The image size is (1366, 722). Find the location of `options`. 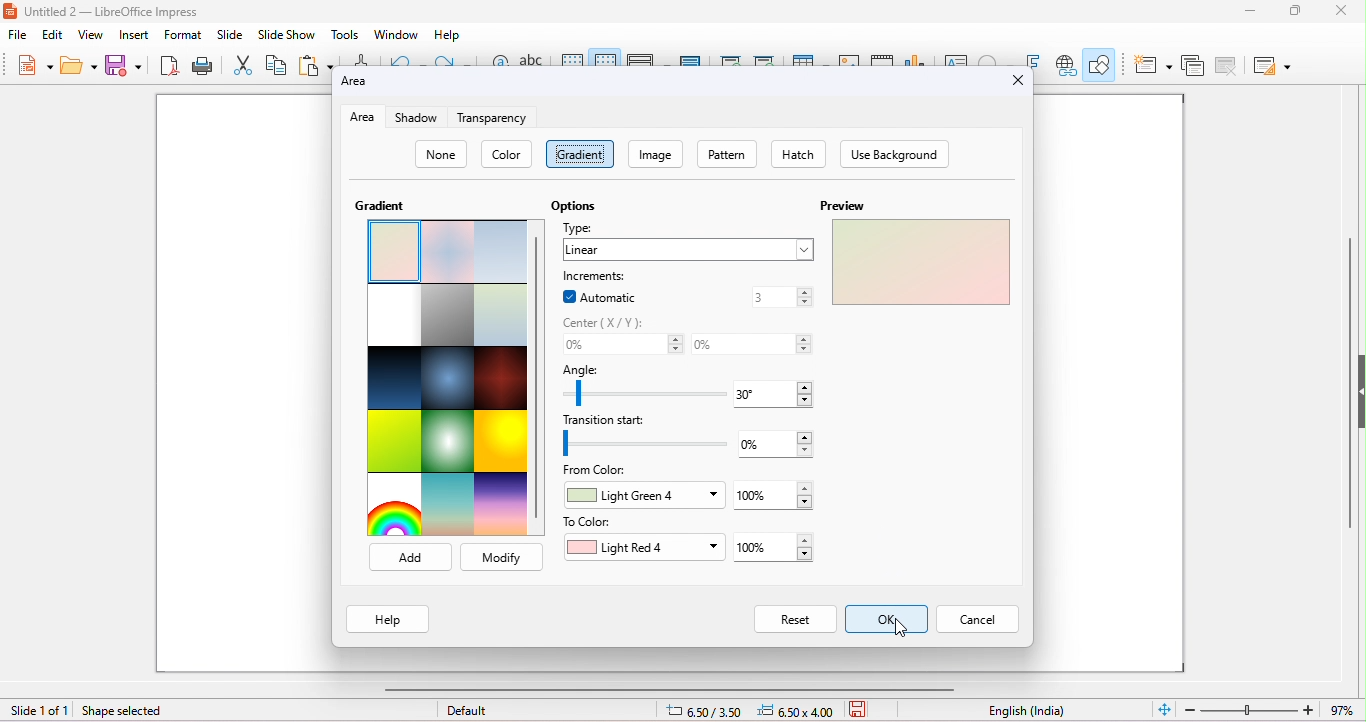

options is located at coordinates (574, 204).